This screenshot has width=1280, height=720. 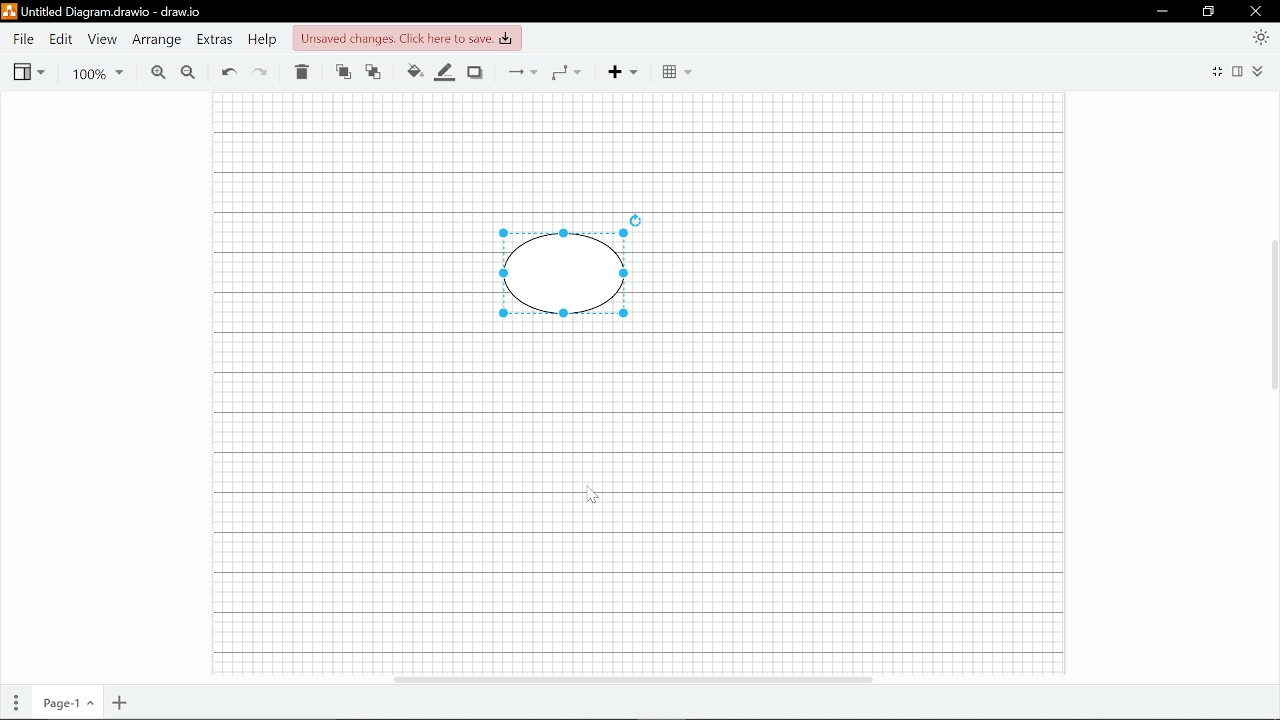 What do you see at coordinates (157, 73) in the screenshot?
I see `Zoom in` at bounding box center [157, 73].